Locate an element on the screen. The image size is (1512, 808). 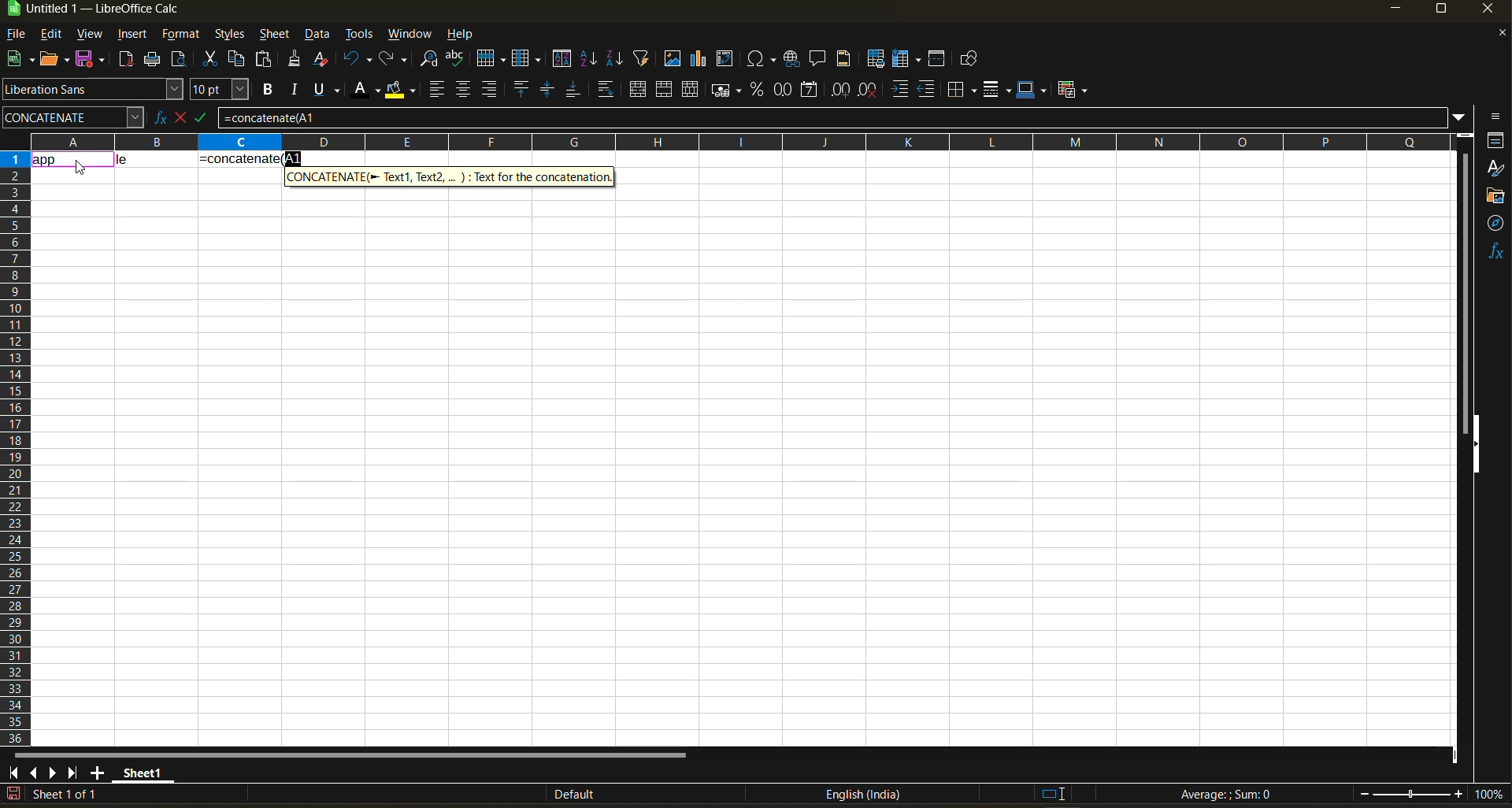
add sheet is located at coordinates (97, 773).